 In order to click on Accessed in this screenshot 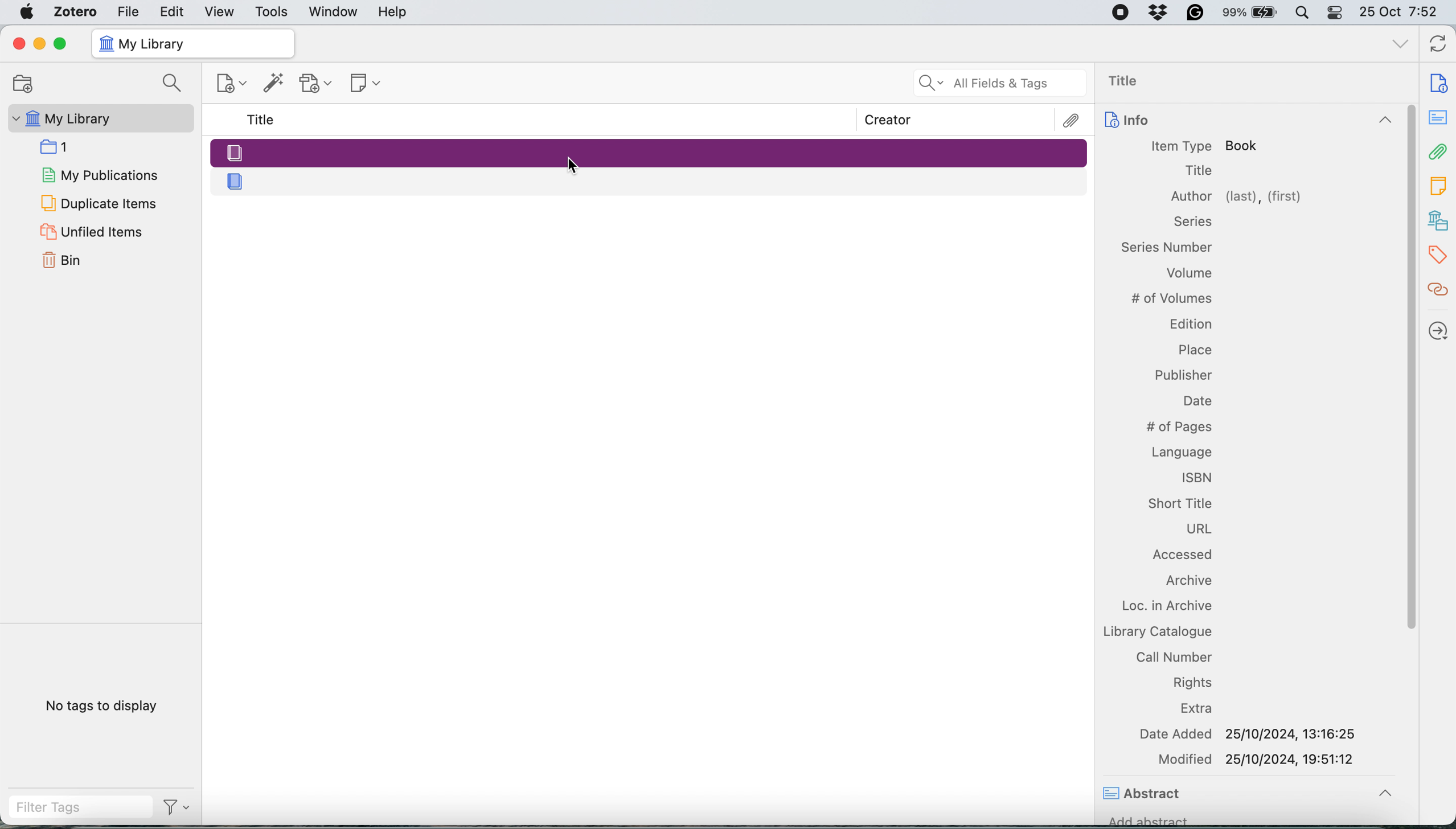, I will do `click(1185, 556)`.